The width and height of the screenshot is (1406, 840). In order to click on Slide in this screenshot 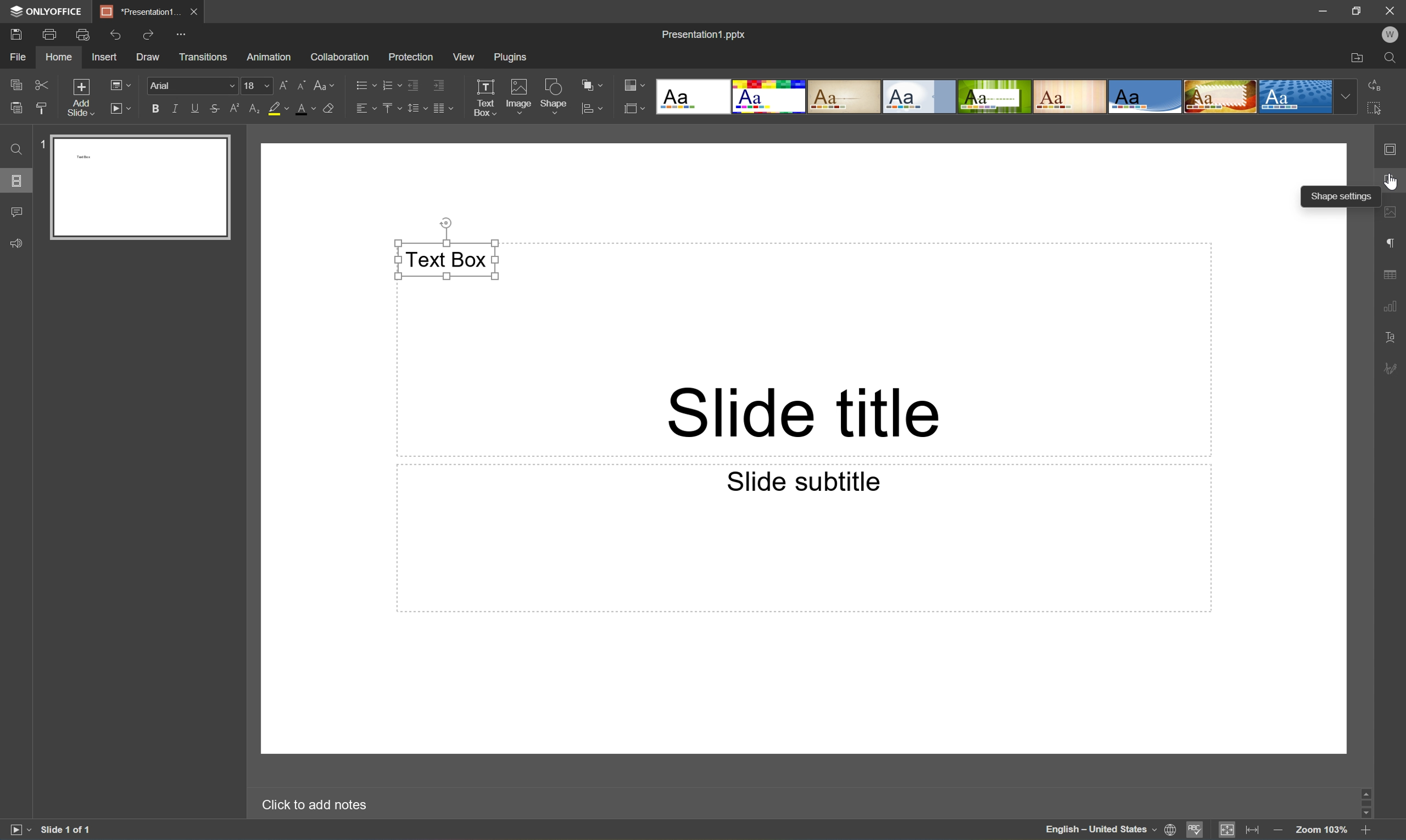, I will do `click(143, 187)`.